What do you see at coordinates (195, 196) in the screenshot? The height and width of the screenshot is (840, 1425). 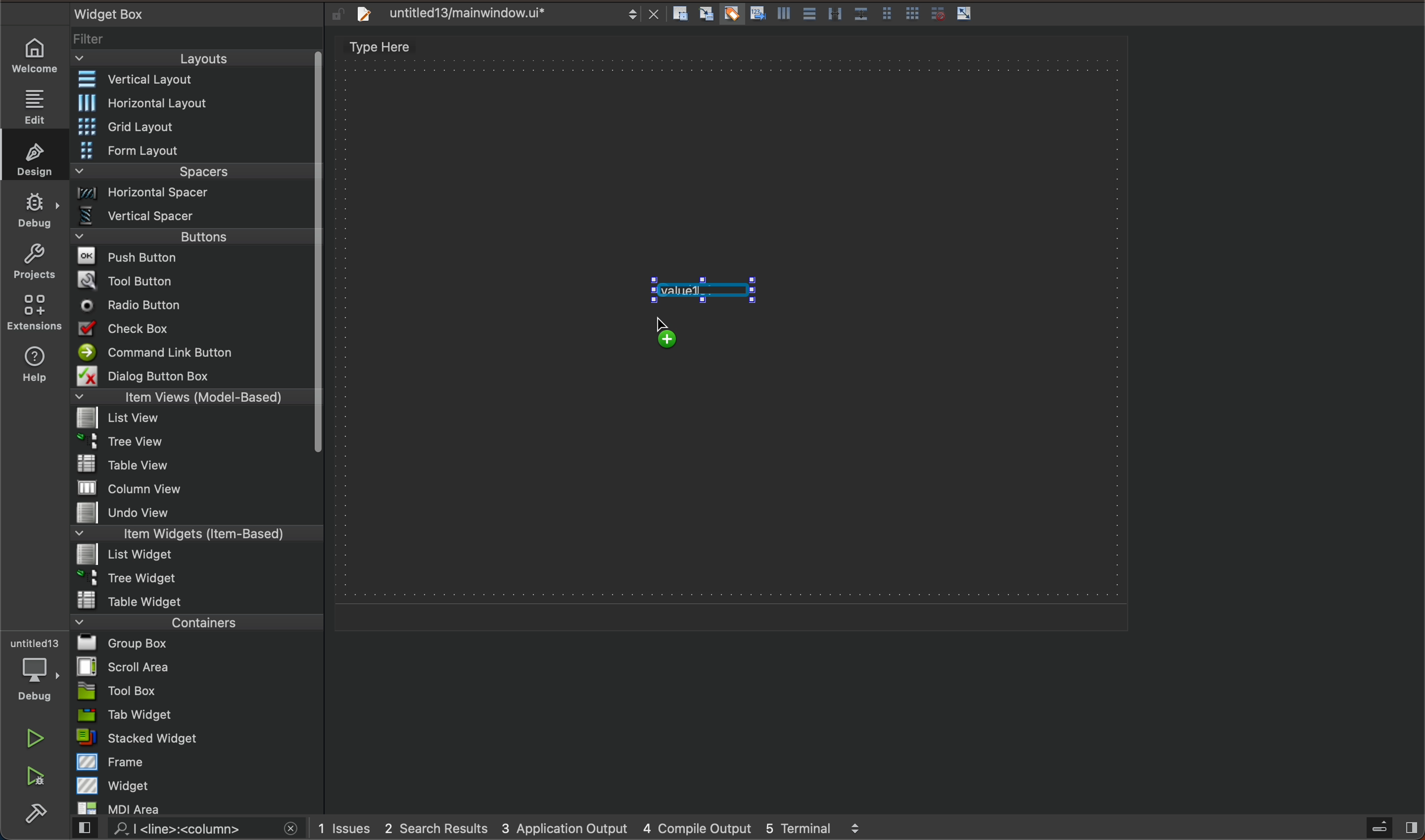 I see `` at bounding box center [195, 196].